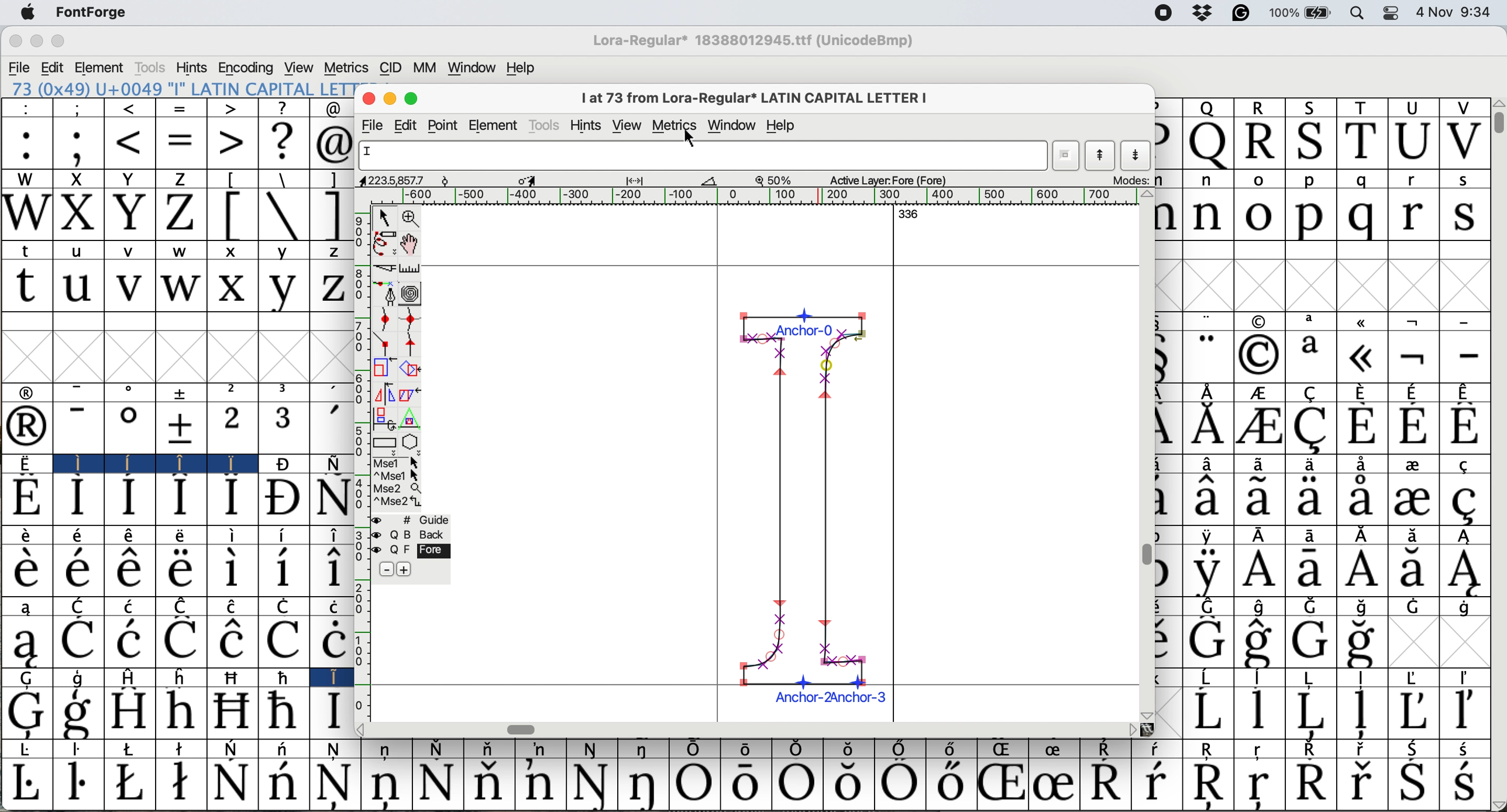 The image size is (1507, 812). I want to click on help, so click(519, 68).